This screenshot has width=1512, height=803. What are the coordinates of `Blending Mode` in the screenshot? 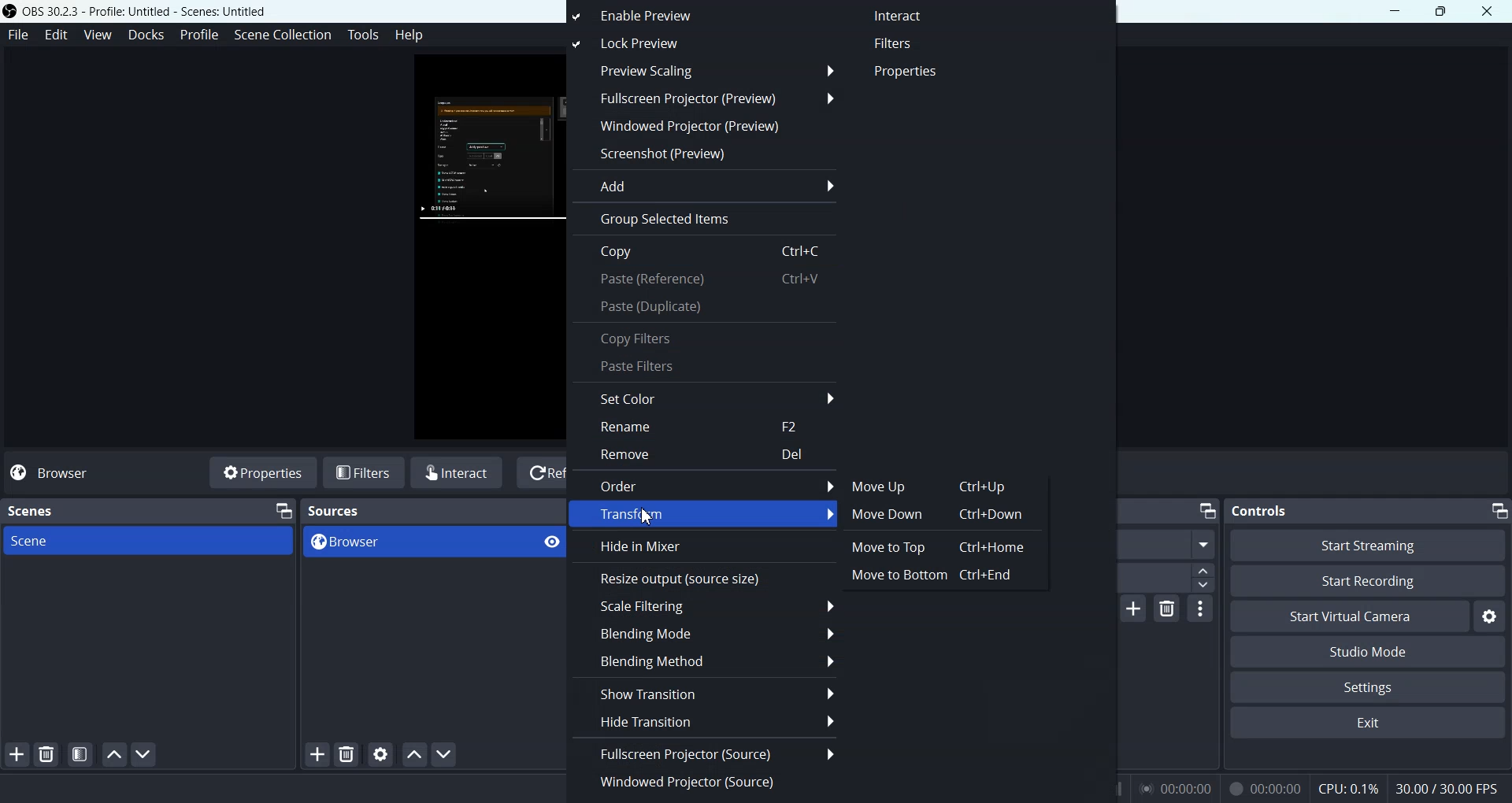 It's located at (706, 632).